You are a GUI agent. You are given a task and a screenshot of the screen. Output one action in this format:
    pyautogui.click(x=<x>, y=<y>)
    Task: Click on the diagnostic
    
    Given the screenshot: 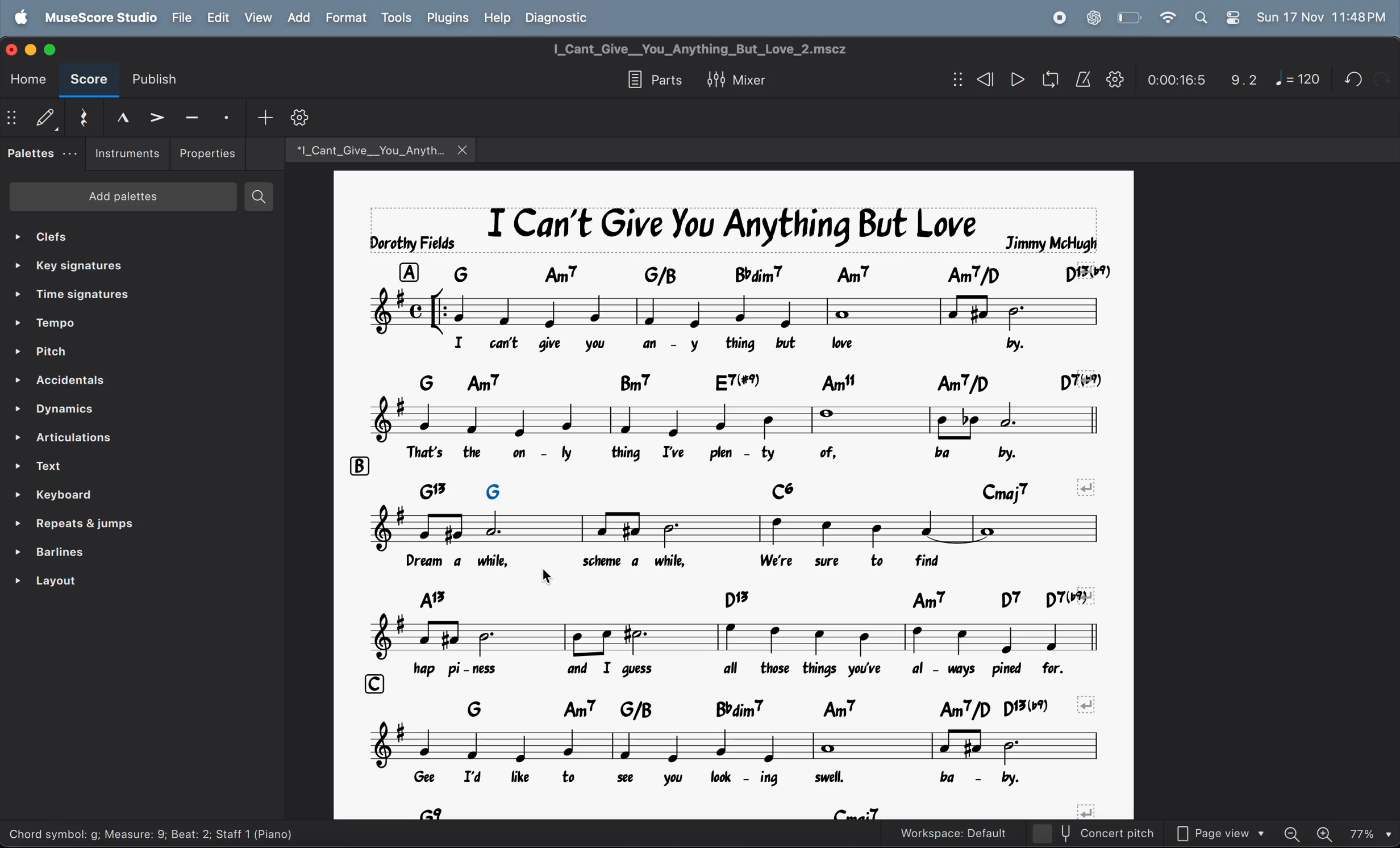 What is the action you would take?
    pyautogui.click(x=564, y=19)
    